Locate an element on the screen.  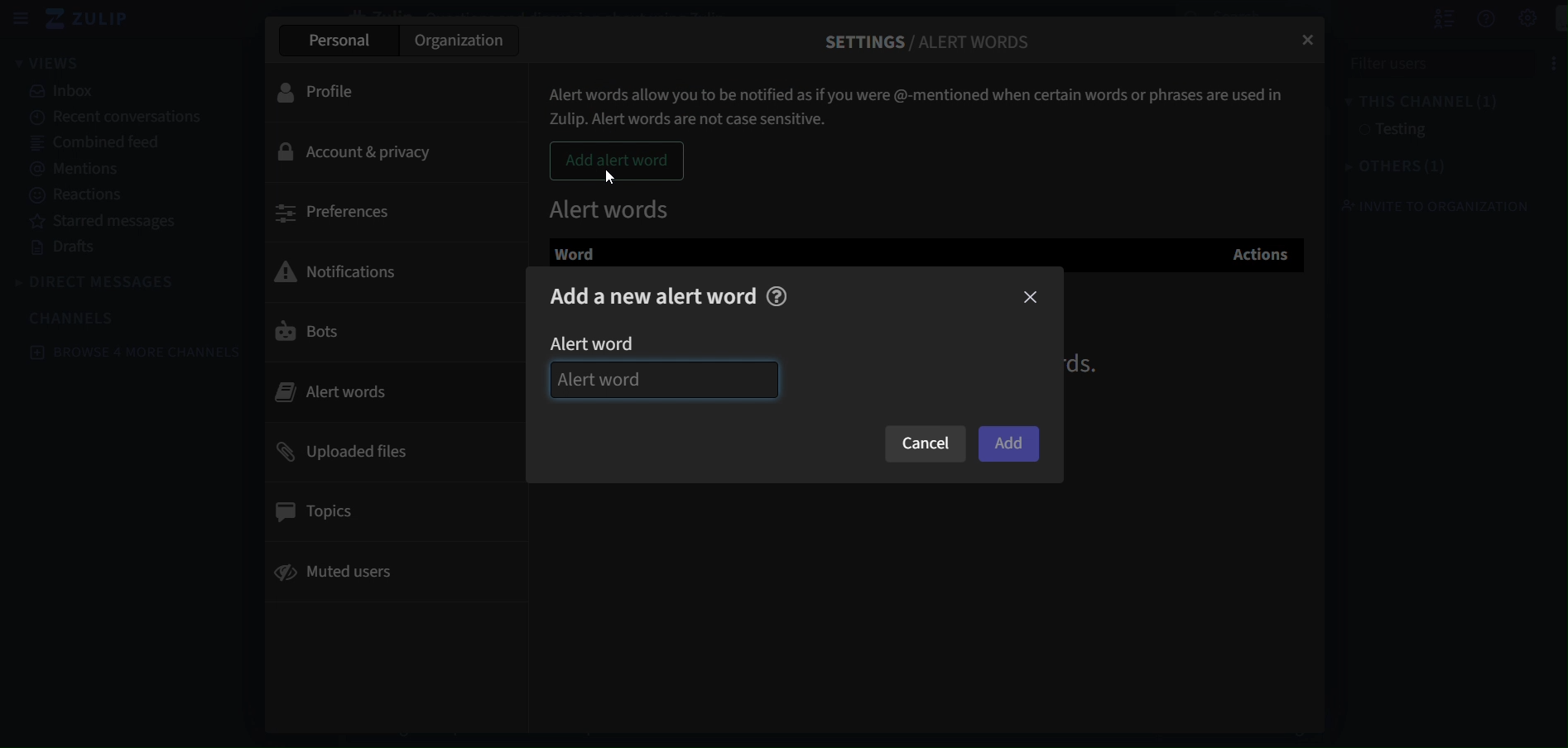
preferences is located at coordinates (335, 212).